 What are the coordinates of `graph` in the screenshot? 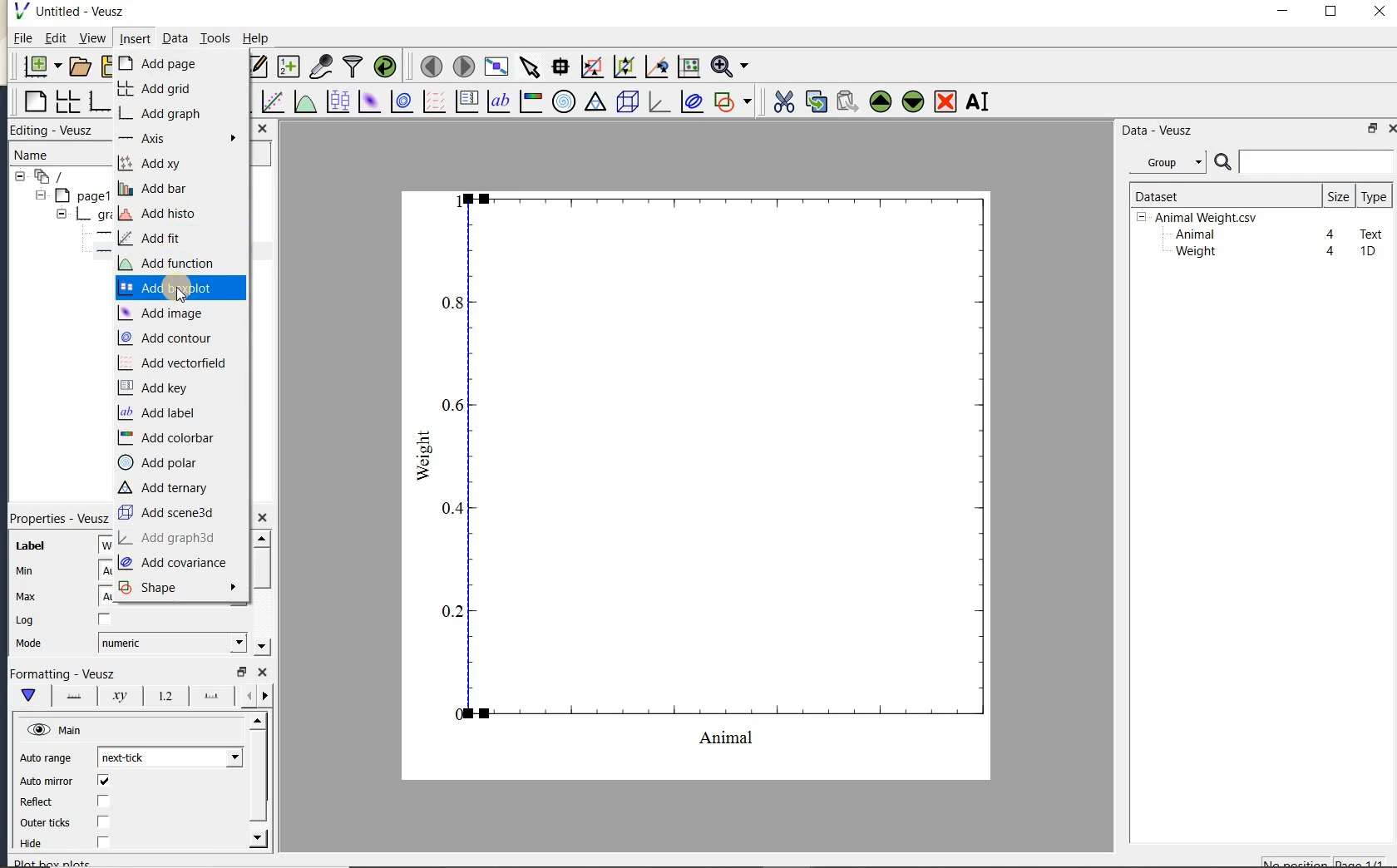 It's located at (717, 469).